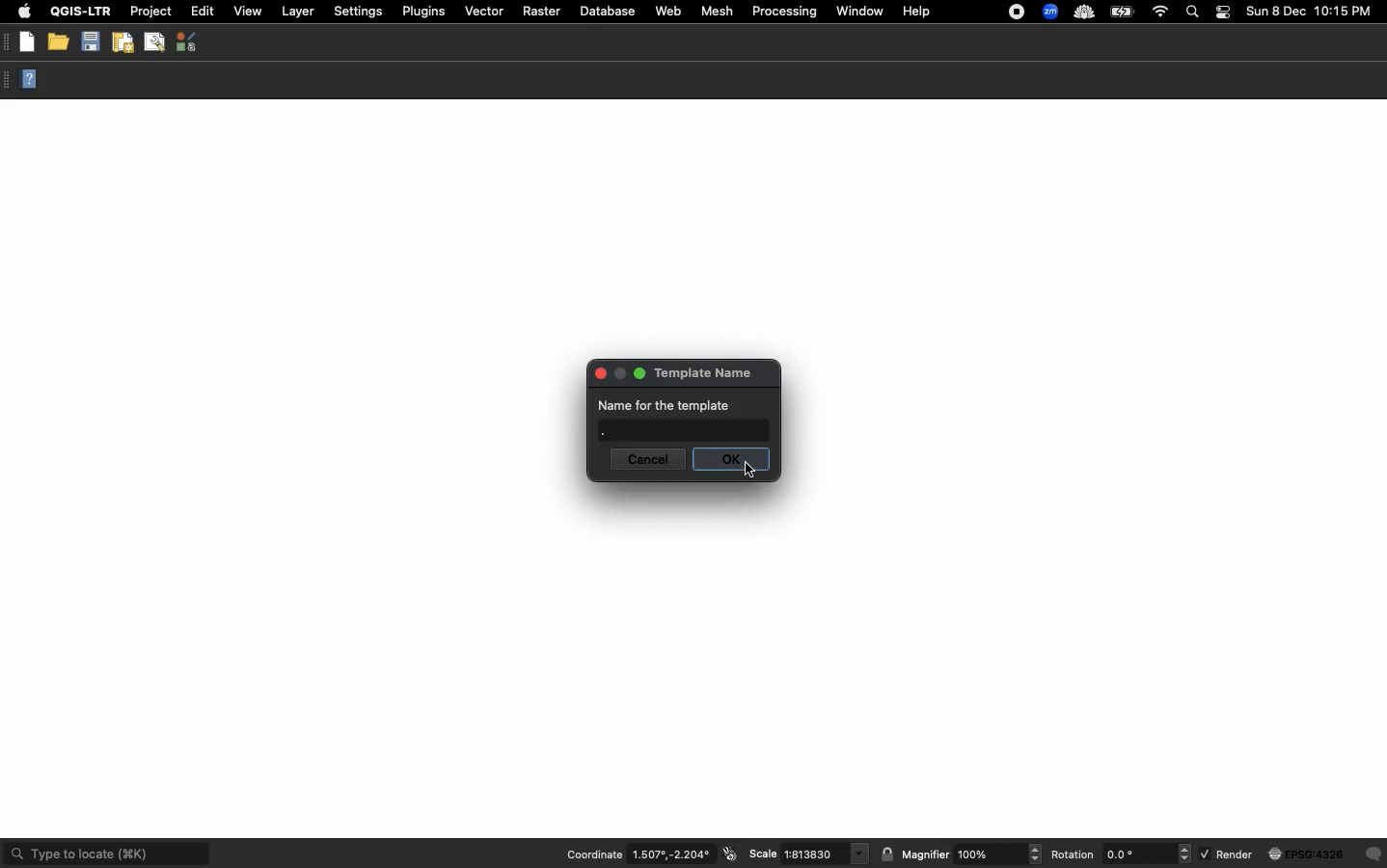  What do you see at coordinates (703, 431) in the screenshot?
I see `text box` at bounding box center [703, 431].